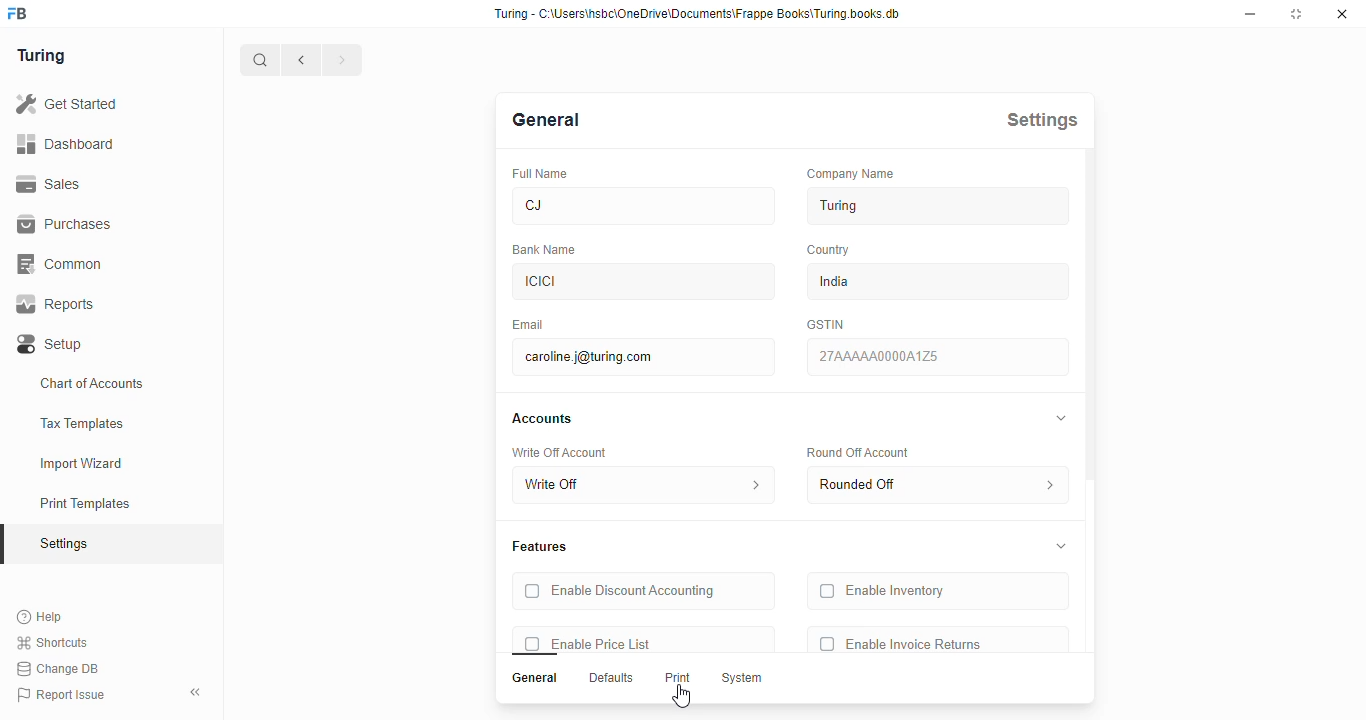 This screenshot has width=1366, height=720. I want to click on toggle sidebar, so click(198, 691).